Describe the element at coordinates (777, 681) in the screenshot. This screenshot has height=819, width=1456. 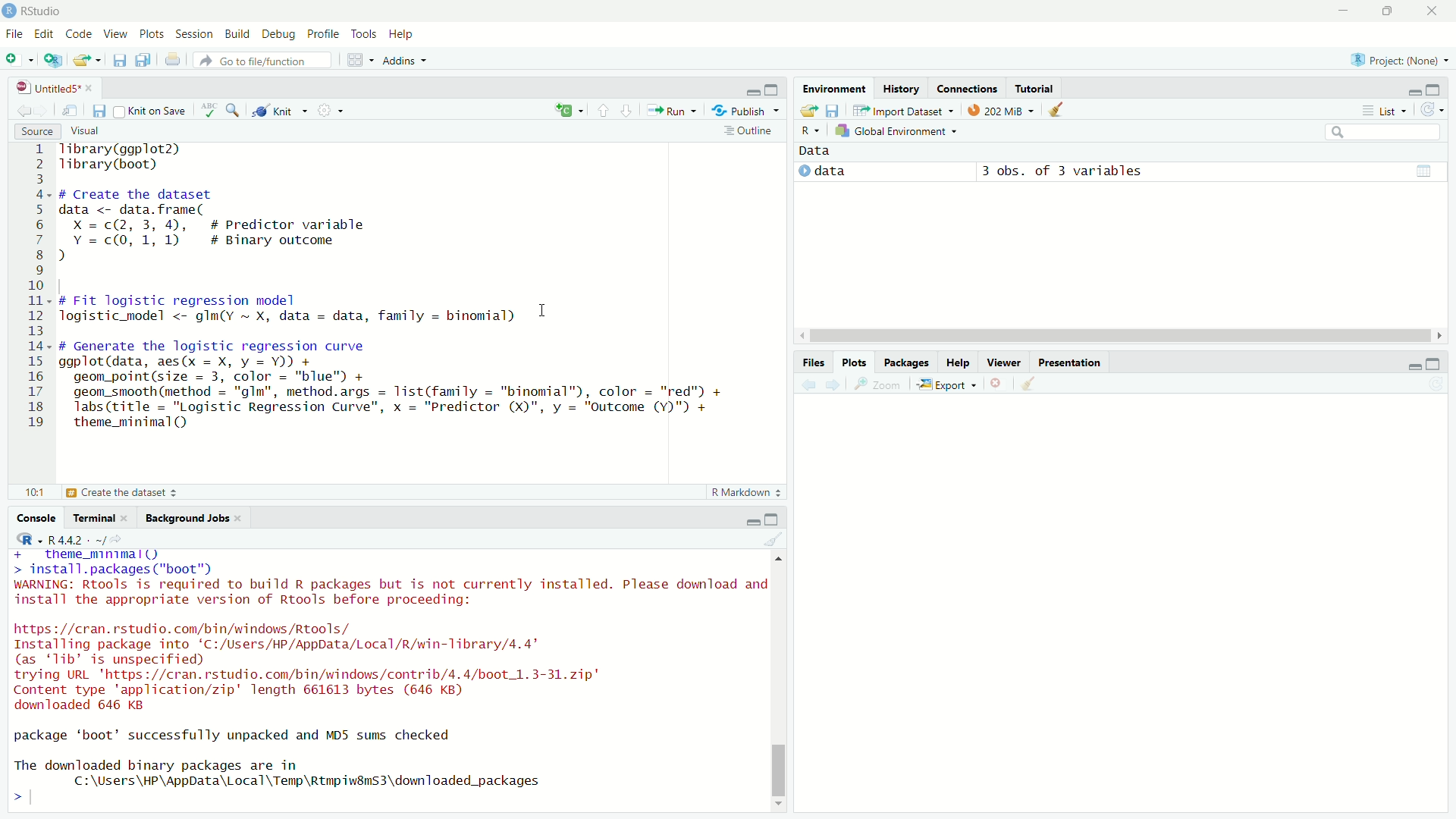
I see `vertical scroll bar` at that location.